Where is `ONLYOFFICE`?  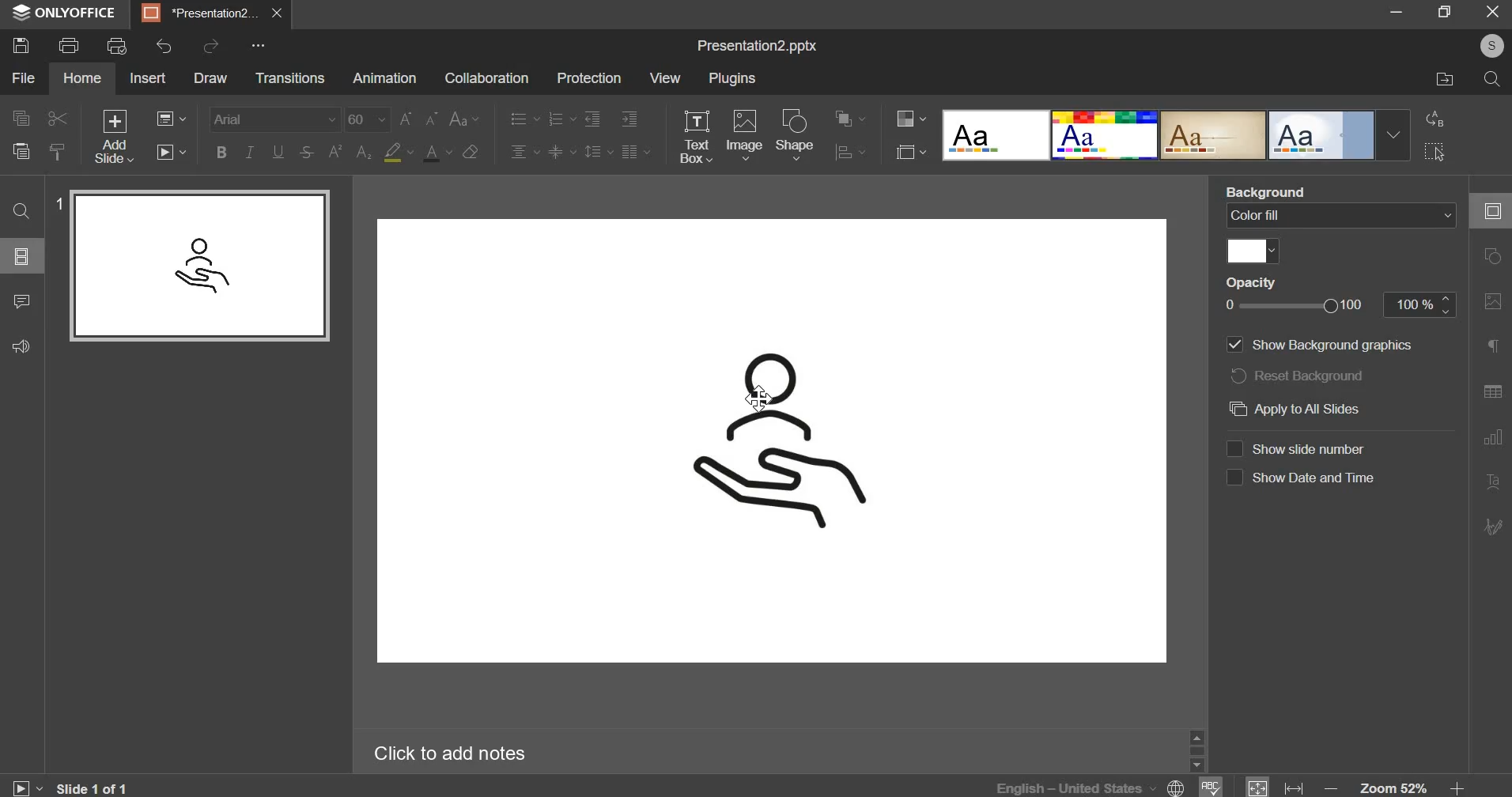
ONLYOFFICE is located at coordinates (65, 13).